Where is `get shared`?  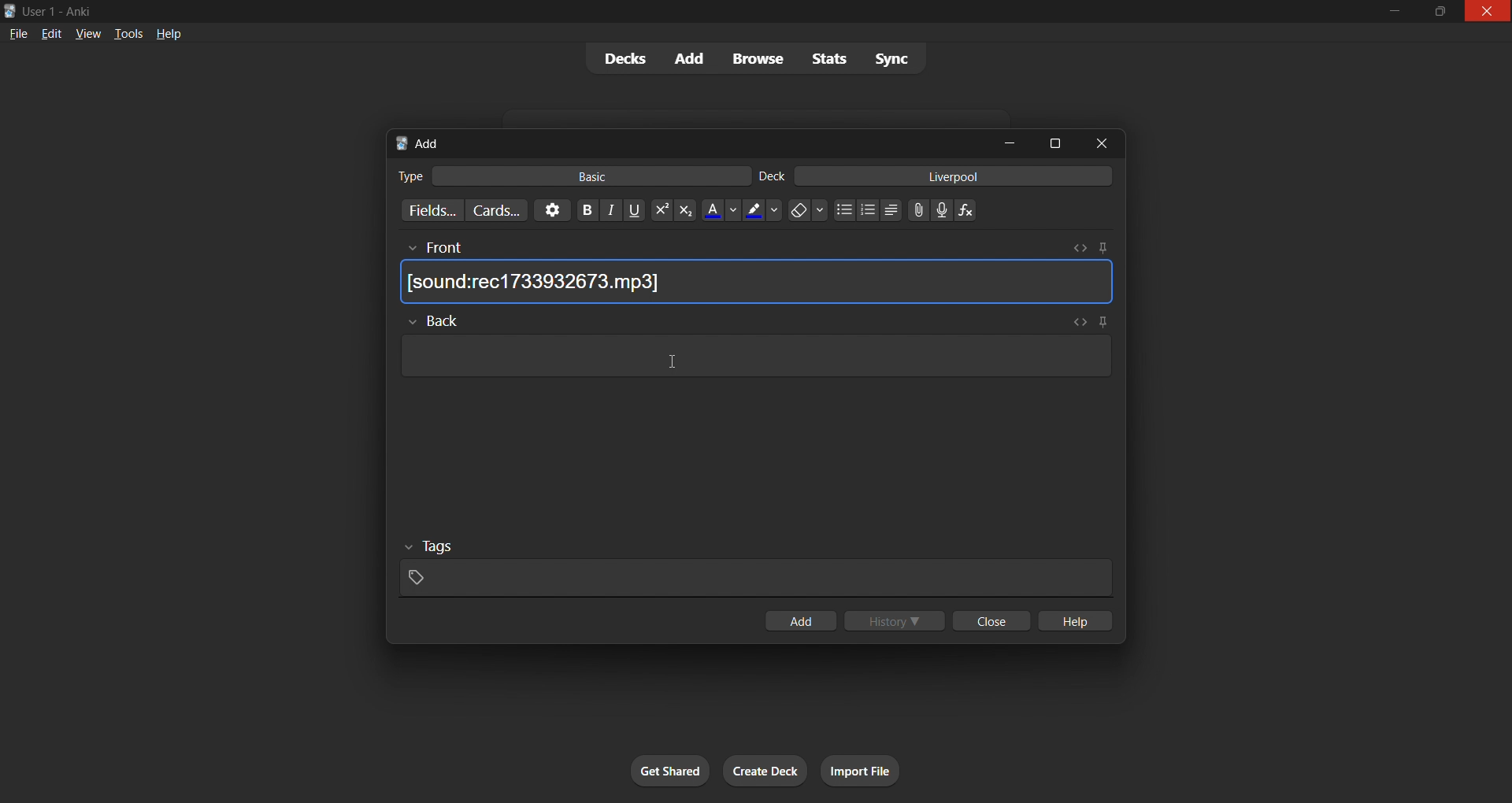 get shared is located at coordinates (654, 766).